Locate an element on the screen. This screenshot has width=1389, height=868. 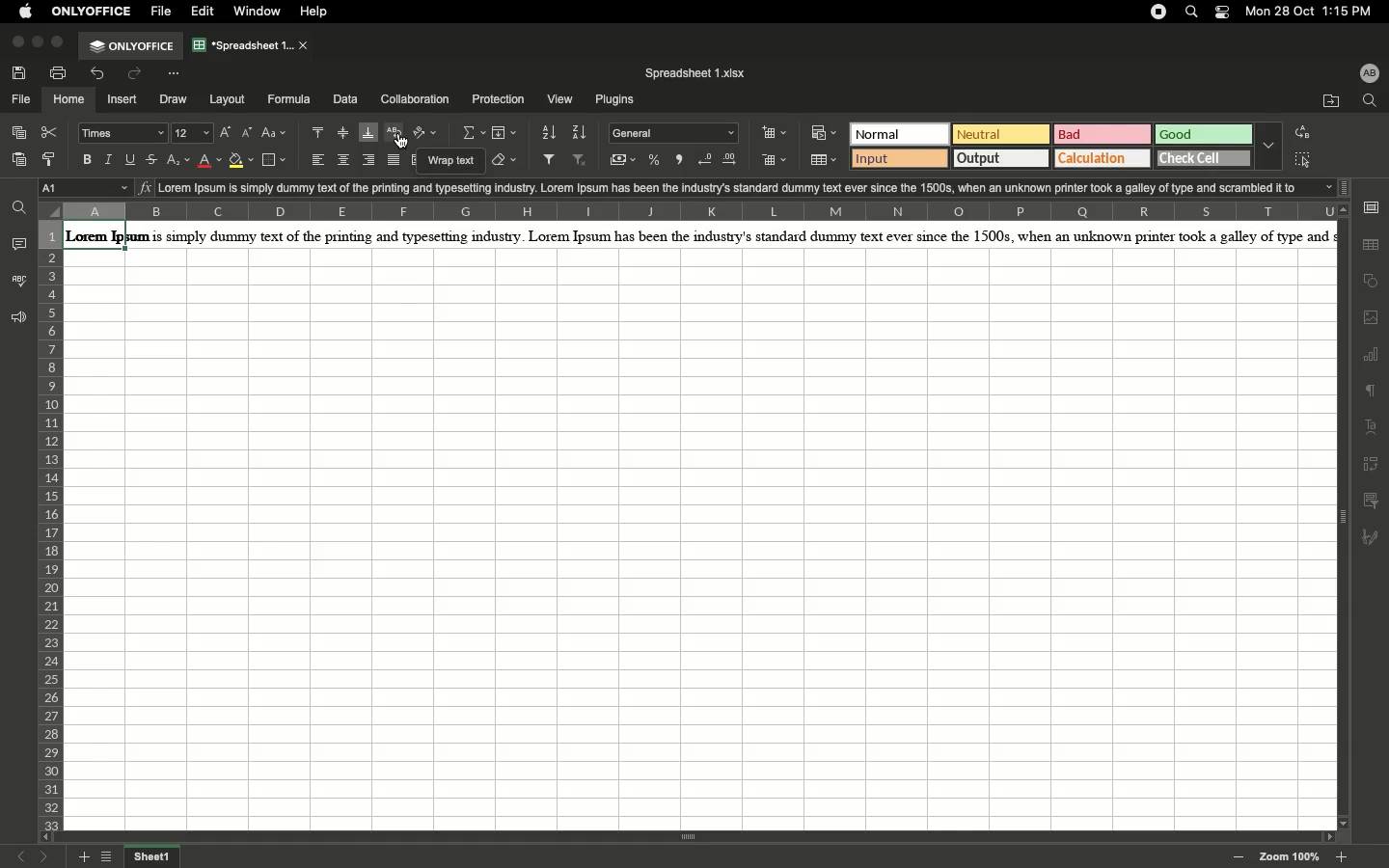
image settings is located at coordinates (1372, 318).